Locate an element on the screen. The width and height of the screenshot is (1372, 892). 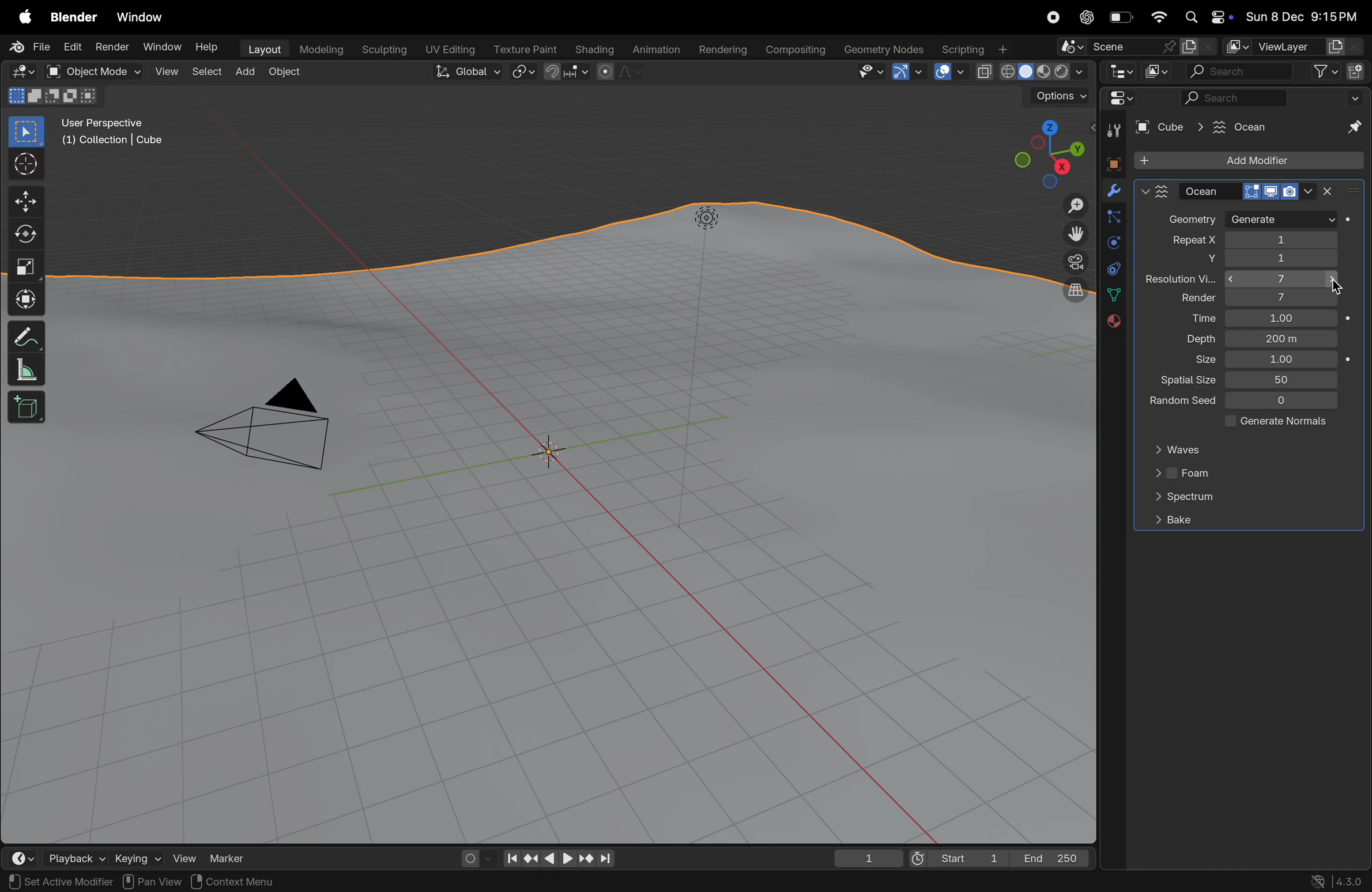
use erception is located at coordinates (109, 124).